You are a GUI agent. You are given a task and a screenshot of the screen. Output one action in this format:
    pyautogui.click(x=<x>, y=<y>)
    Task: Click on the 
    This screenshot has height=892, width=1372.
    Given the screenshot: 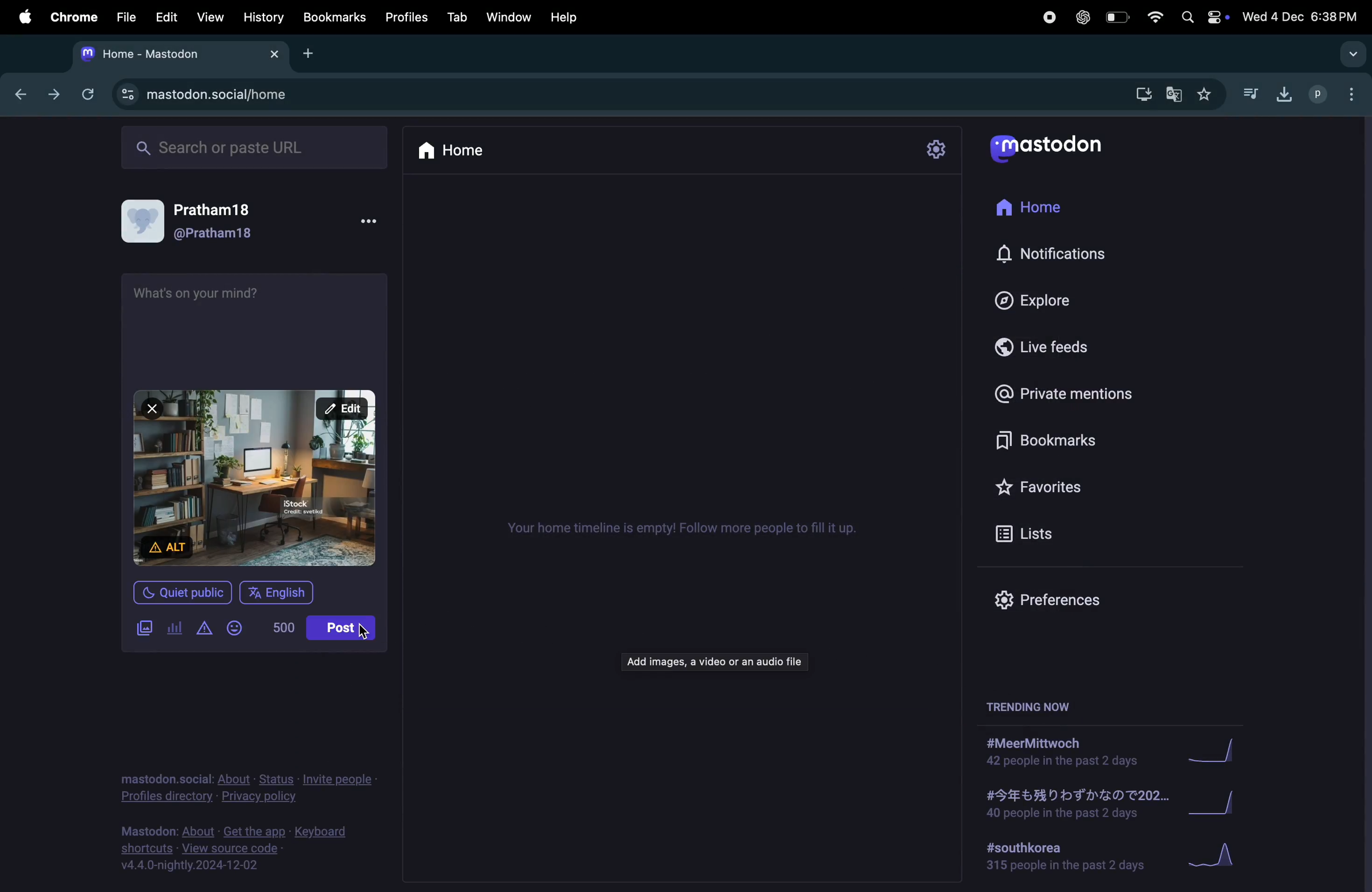 What is the action you would take?
    pyautogui.click(x=1033, y=706)
    